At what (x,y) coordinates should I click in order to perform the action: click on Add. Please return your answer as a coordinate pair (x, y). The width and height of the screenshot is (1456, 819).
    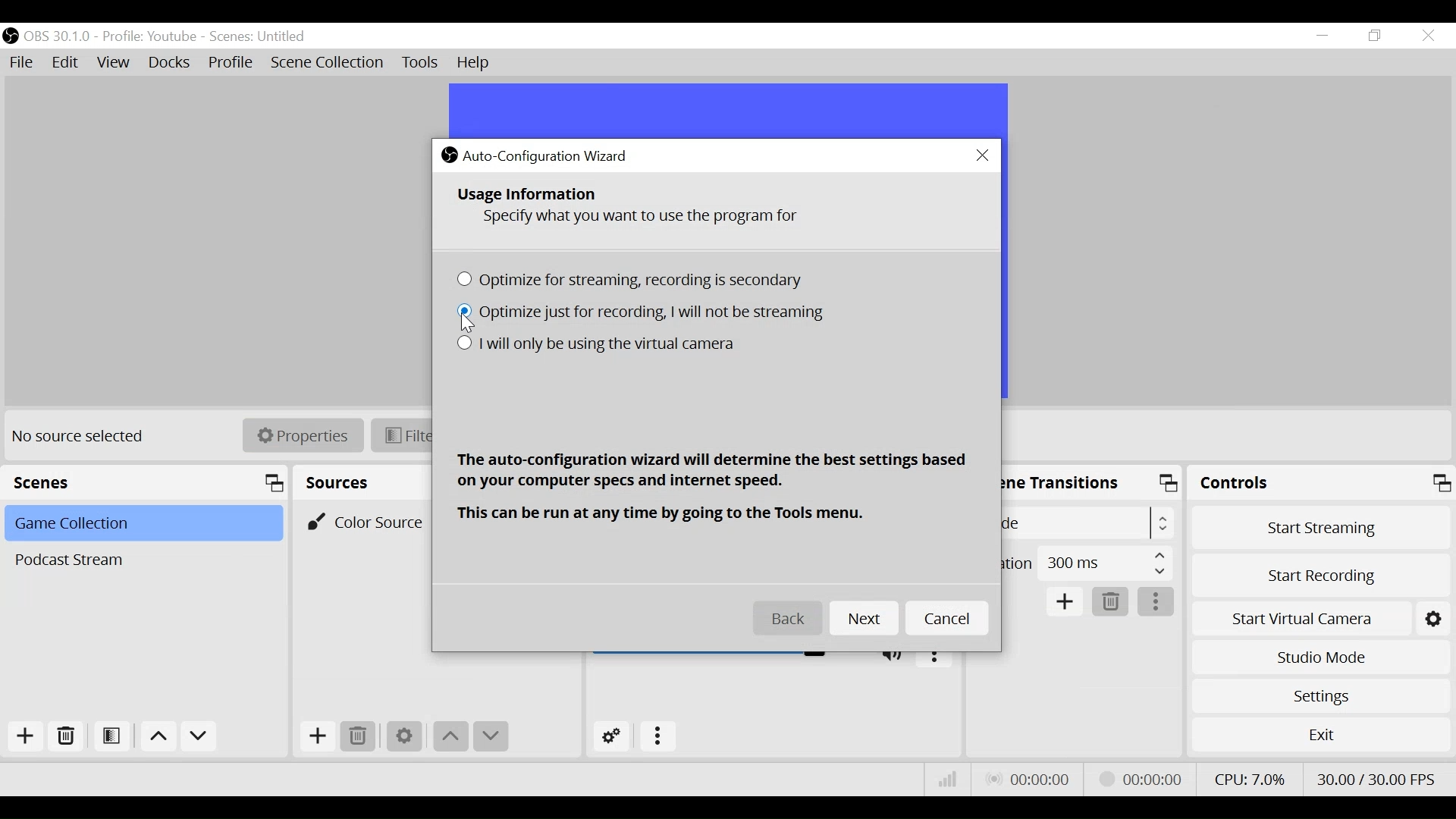
    Looking at the image, I should click on (25, 736).